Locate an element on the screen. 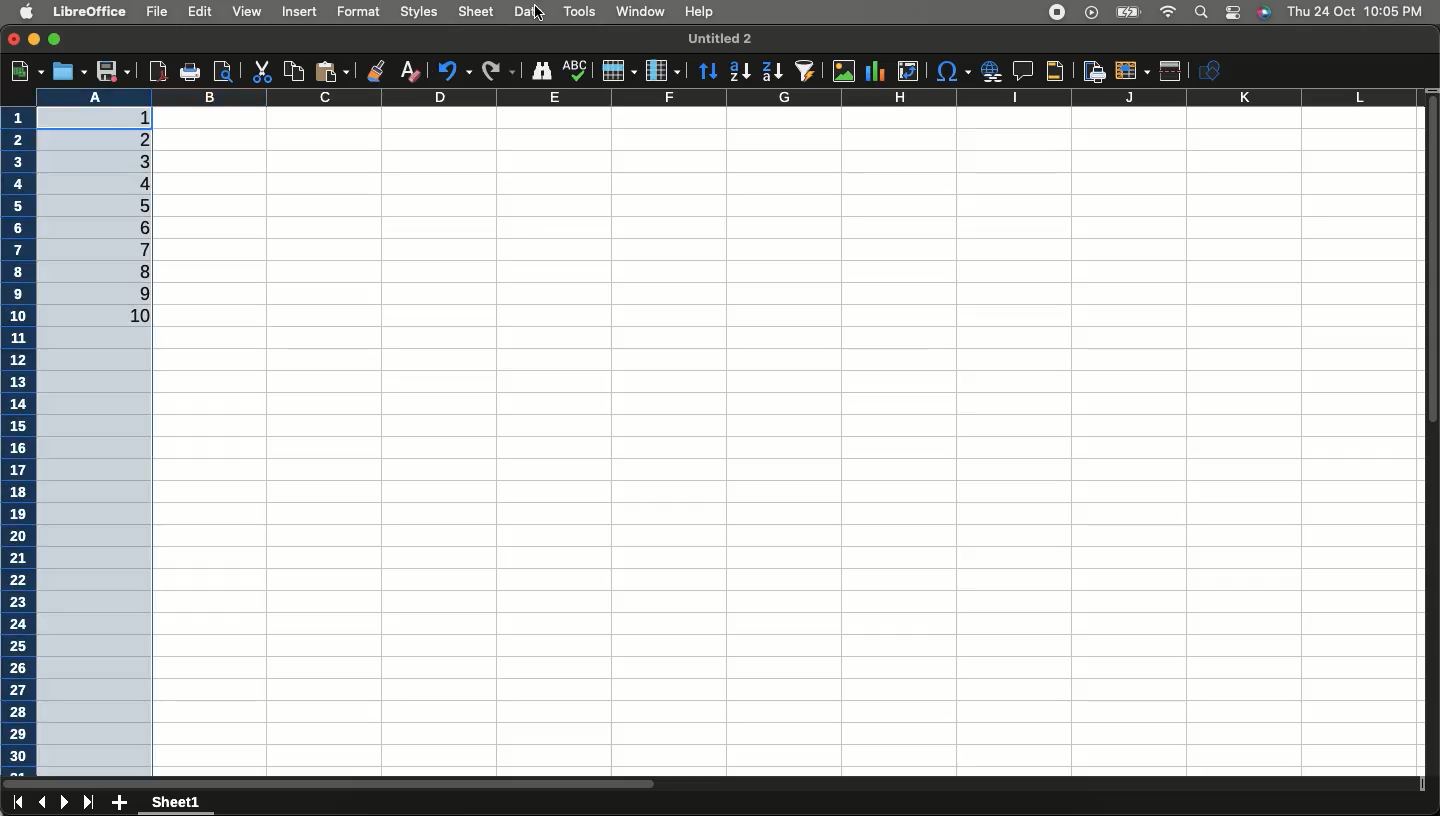 This screenshot has height=816, width=1440. Row is located at coordinates (619, 70).